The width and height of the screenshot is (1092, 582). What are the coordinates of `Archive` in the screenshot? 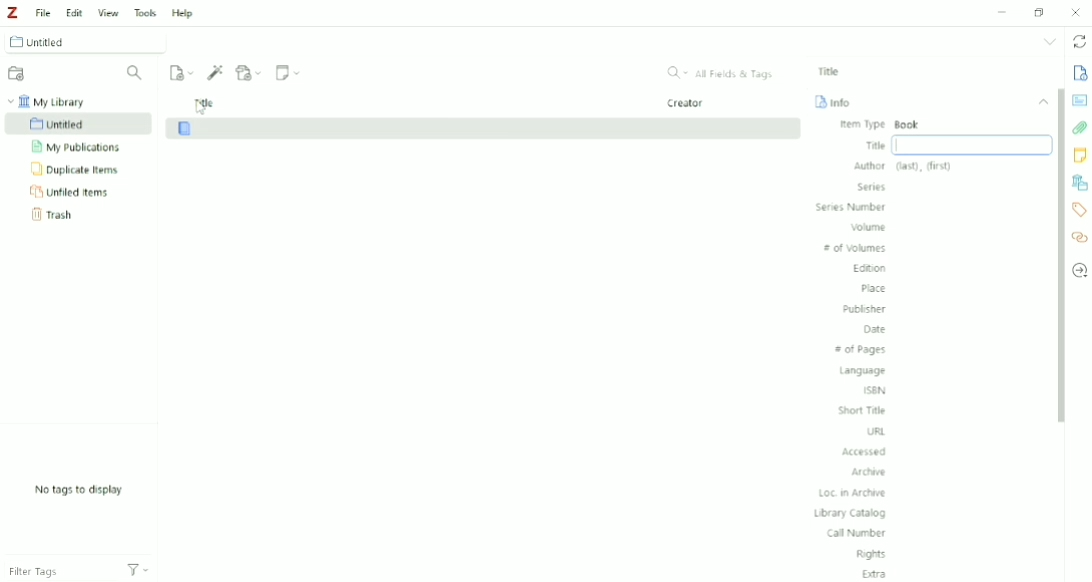 It's located at (872, 472).